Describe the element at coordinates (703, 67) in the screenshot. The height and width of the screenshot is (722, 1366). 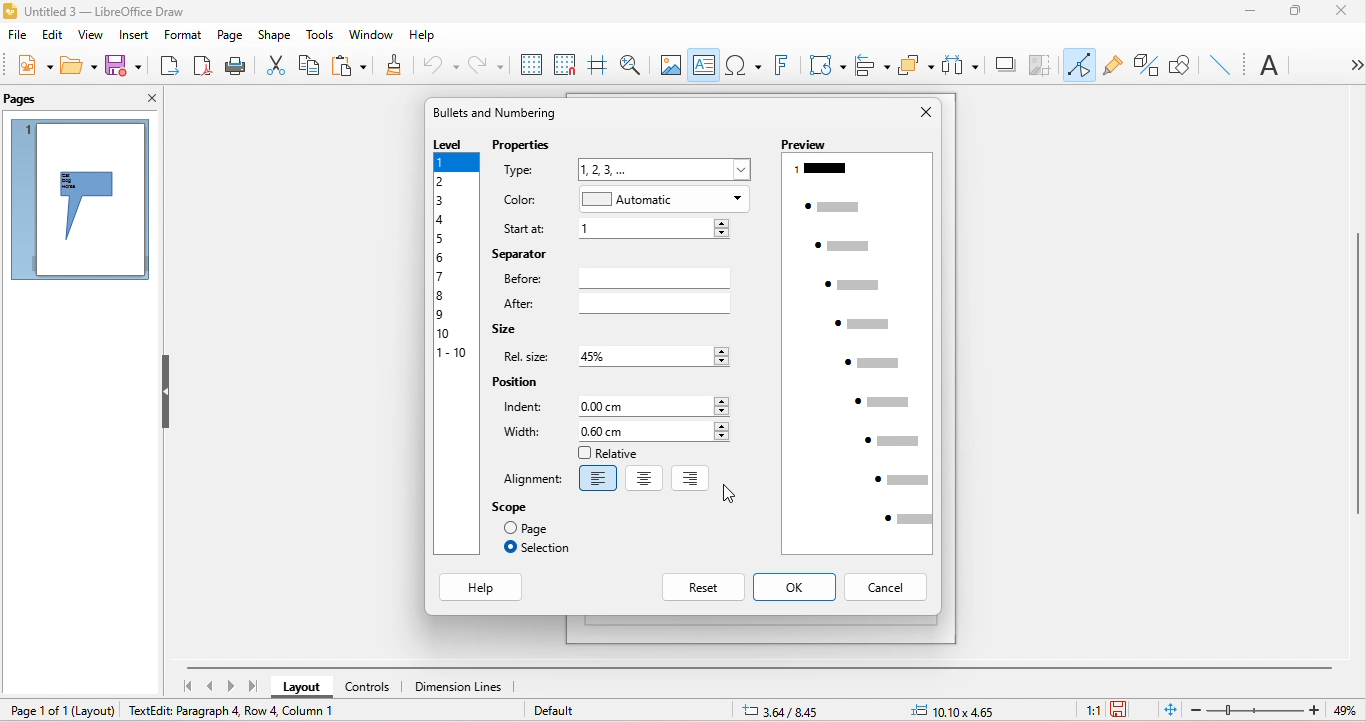
I see `text box` at that location.